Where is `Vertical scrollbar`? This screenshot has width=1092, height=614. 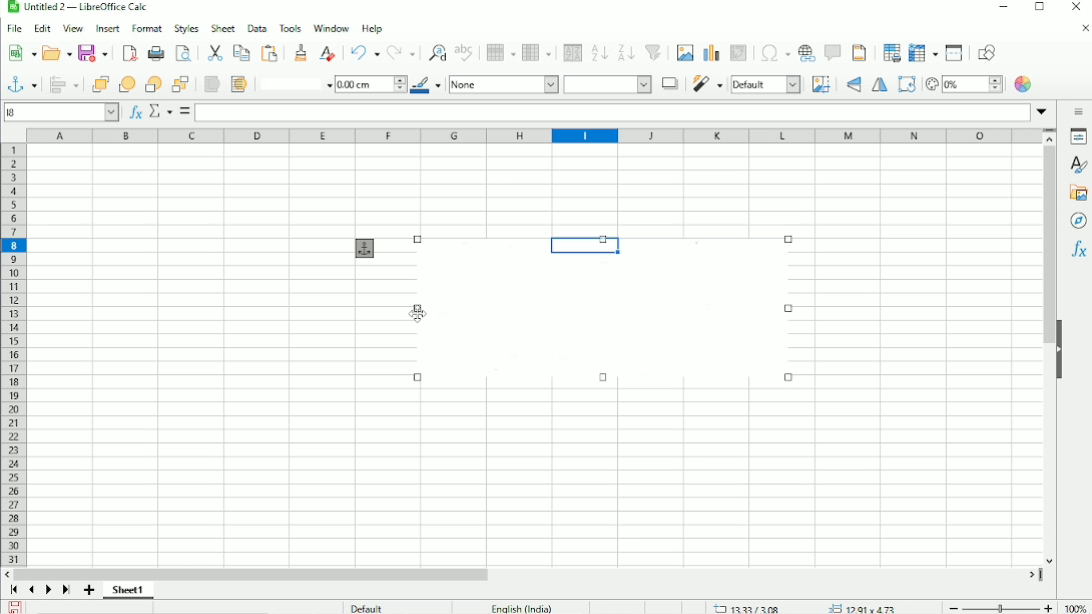 Vertical scrollbar is located at coordinates (1048, 246).